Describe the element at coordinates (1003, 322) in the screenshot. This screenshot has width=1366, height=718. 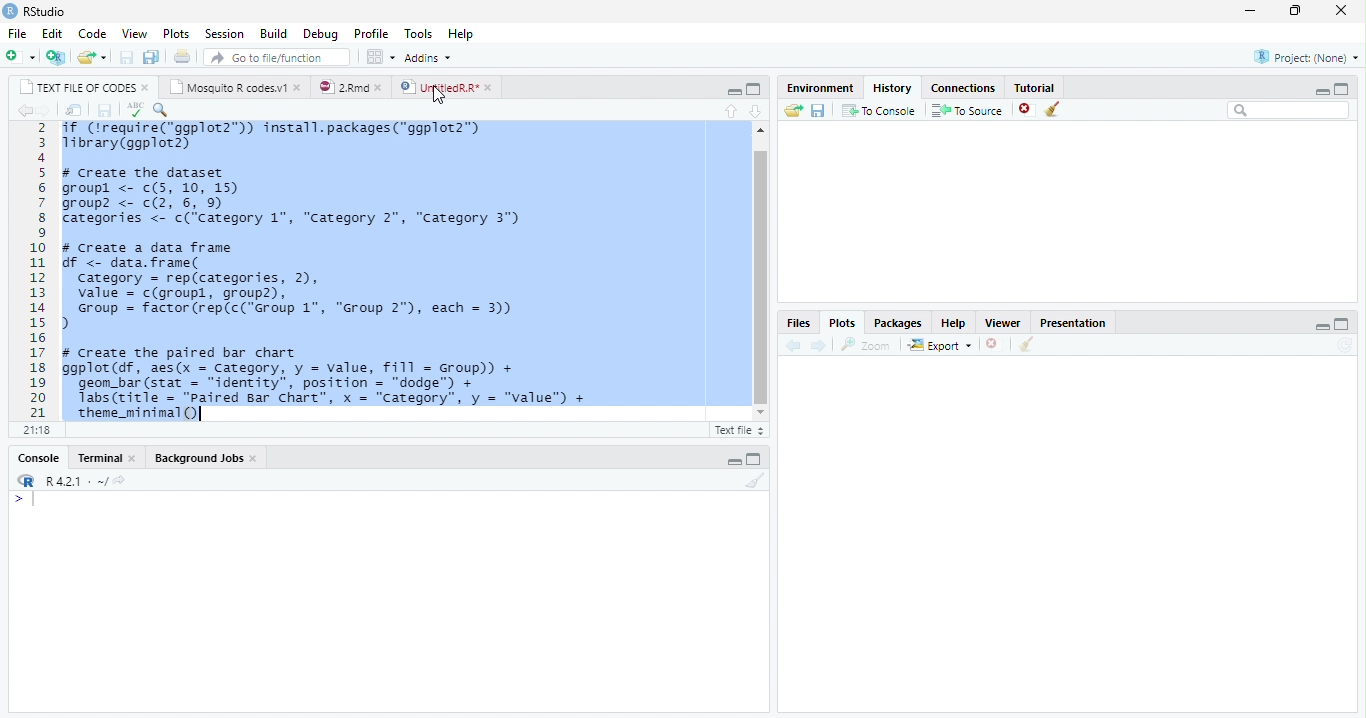
I see `viewer` at that location.